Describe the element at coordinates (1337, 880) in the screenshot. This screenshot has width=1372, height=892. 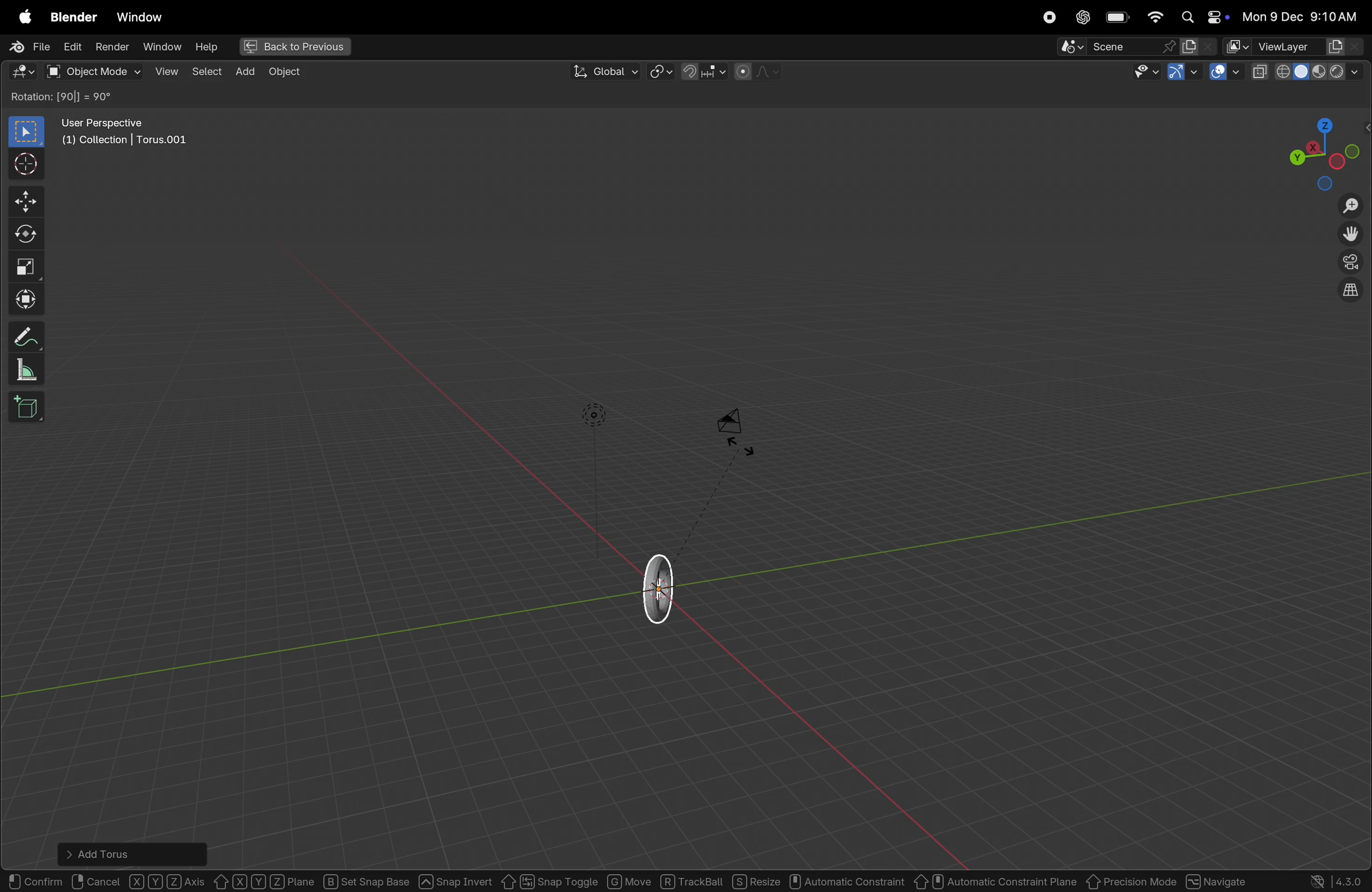
I see `versions` at that location.